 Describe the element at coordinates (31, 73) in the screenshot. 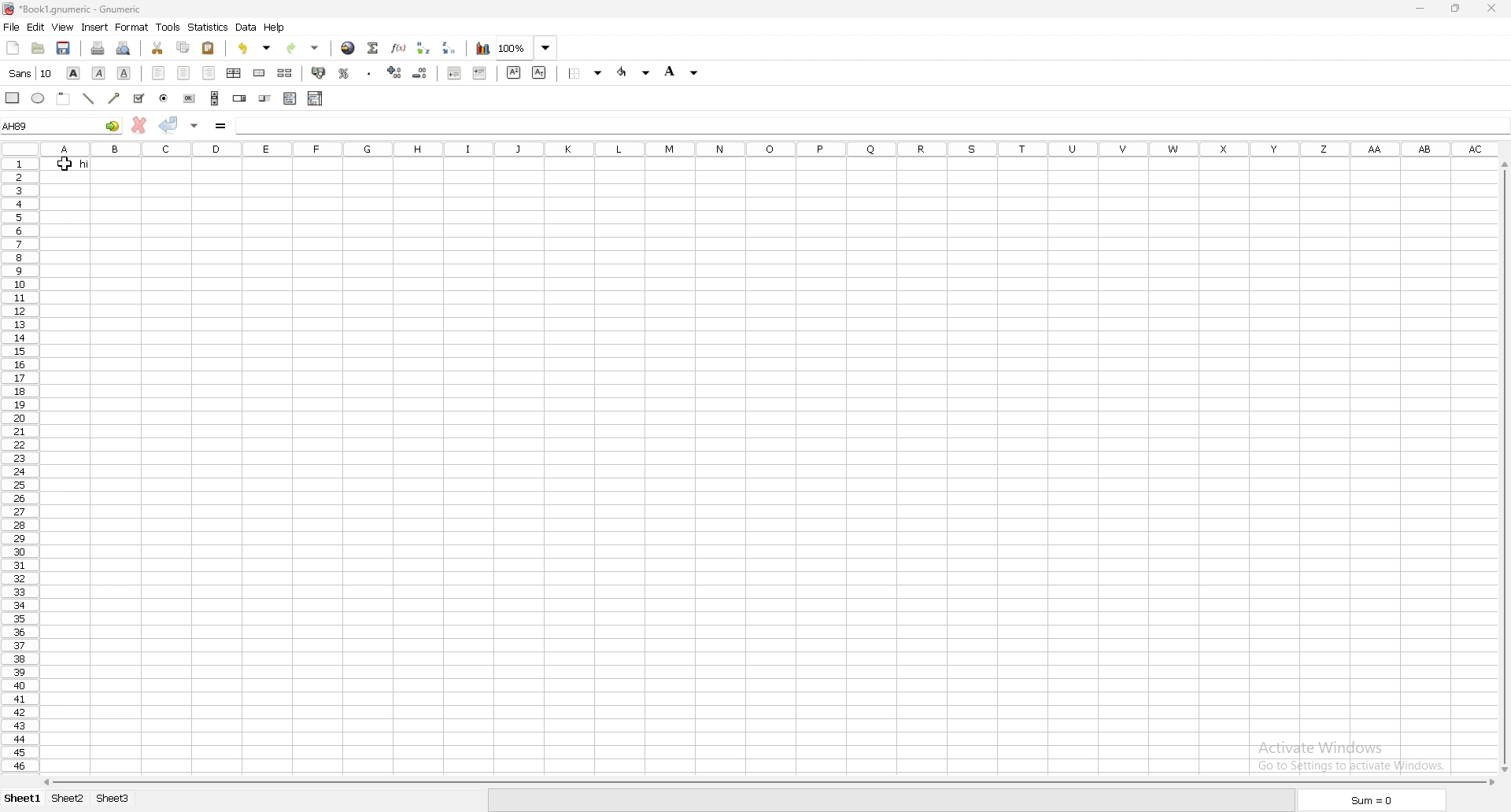

I see `font` at that location.